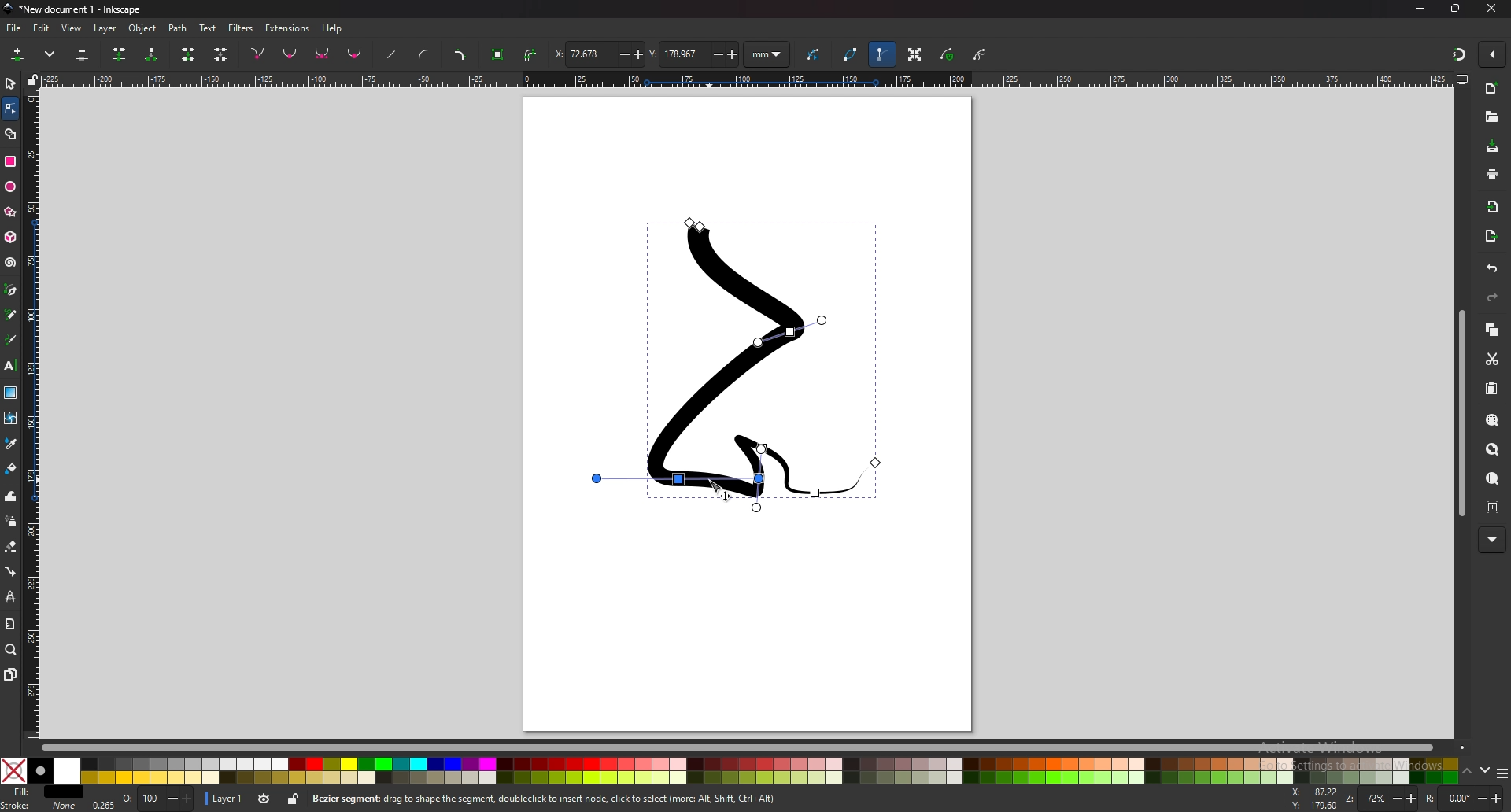 The height and width of the screenshot is (812, 1511). I want to click on straighten lines, so click(391, 54).